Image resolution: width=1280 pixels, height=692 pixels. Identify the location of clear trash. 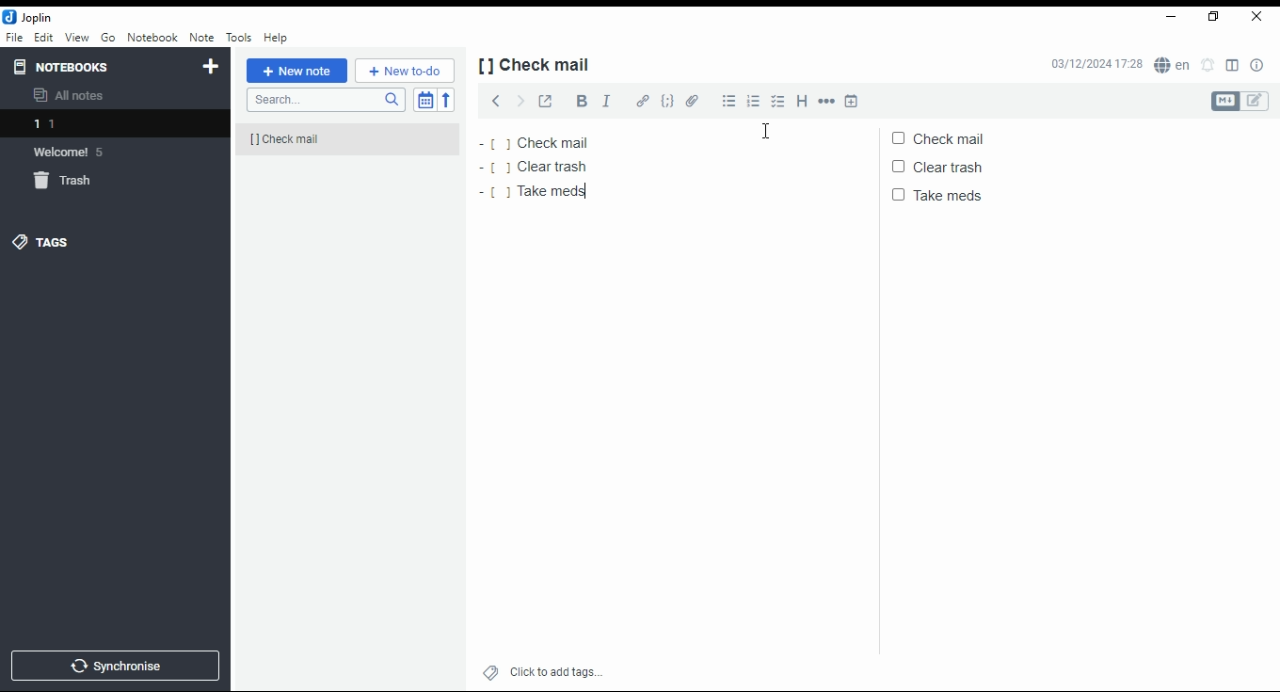
(540, 170).